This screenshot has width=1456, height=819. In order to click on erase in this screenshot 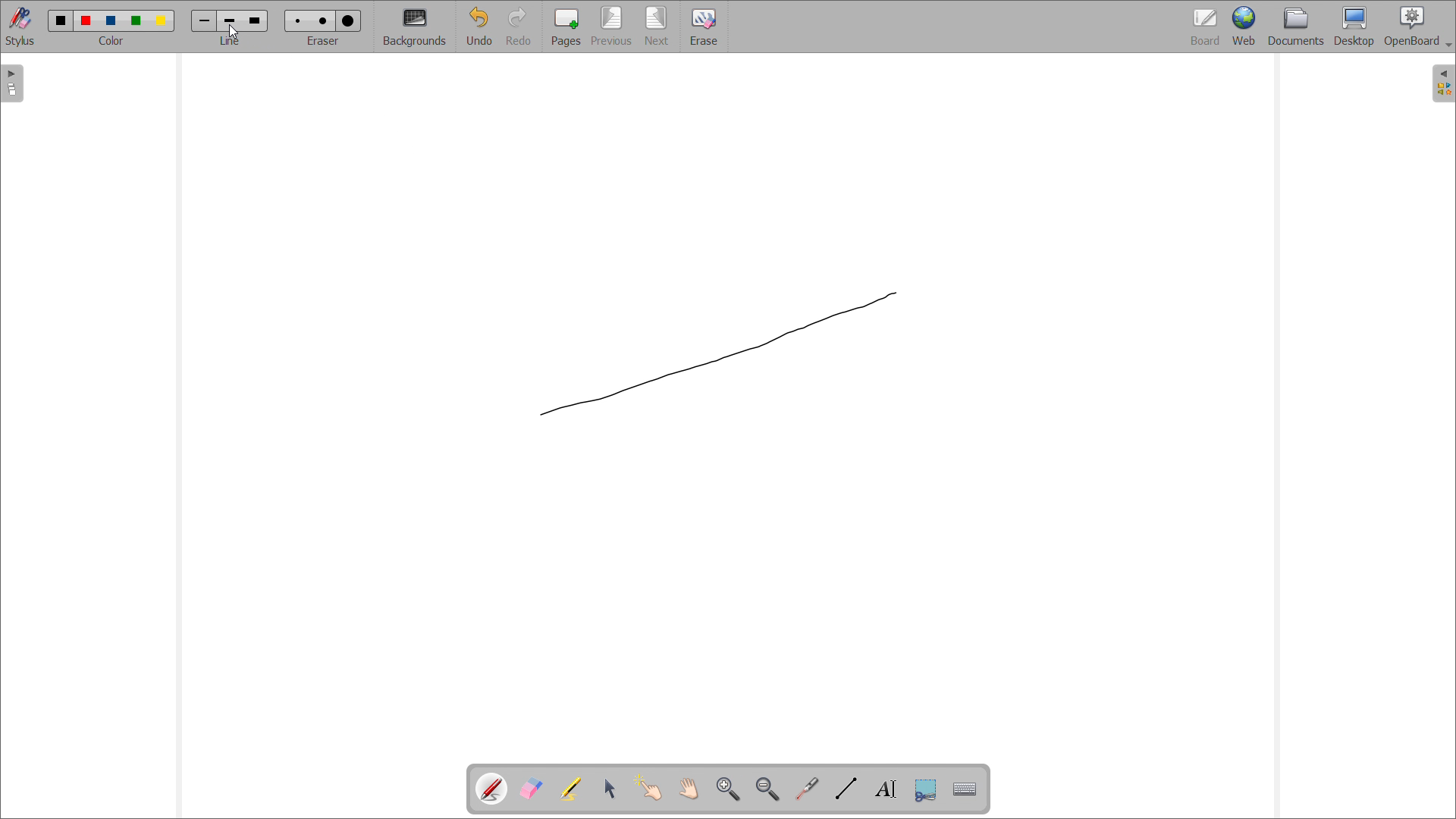, I will do `click(704, 27)`.